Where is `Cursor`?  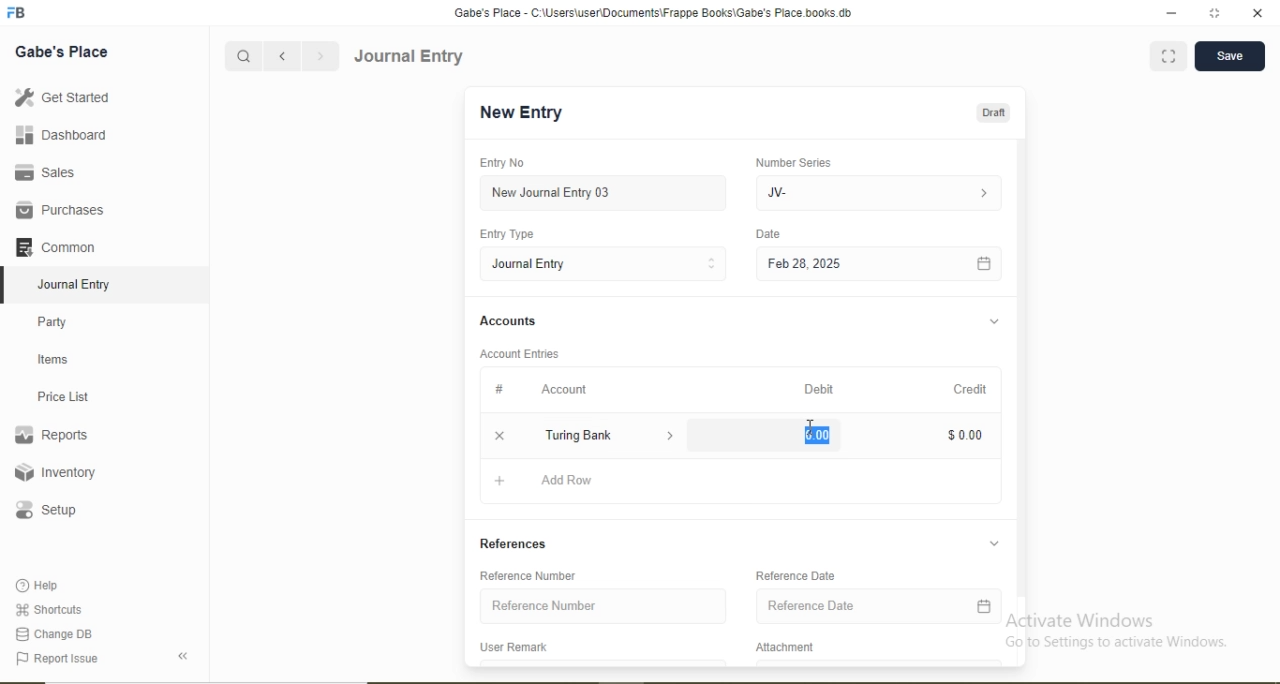
Cursor is located at coordinates (808, 426).